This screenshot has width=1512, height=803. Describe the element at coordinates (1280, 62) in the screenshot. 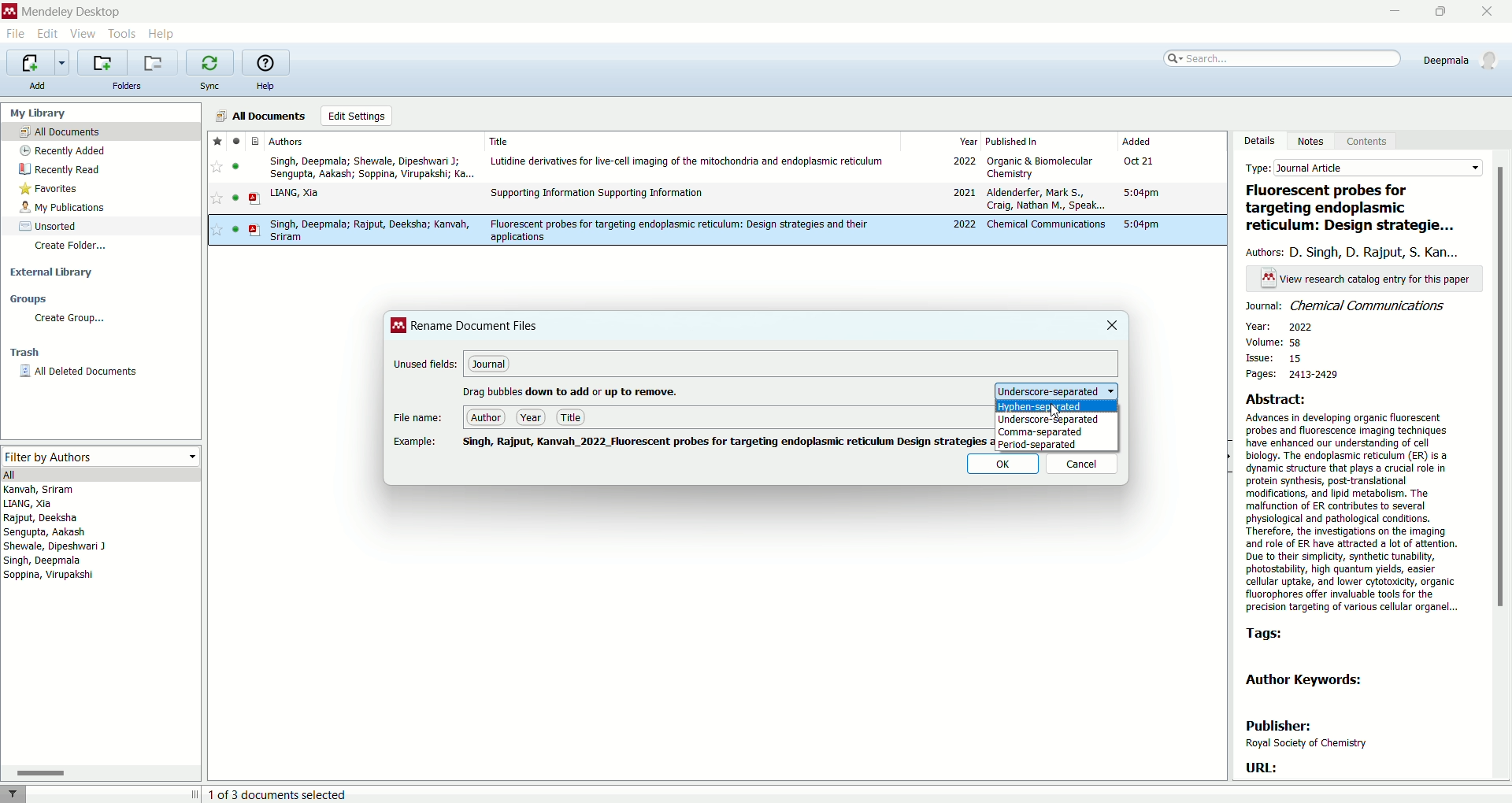

I see `search` at that location.